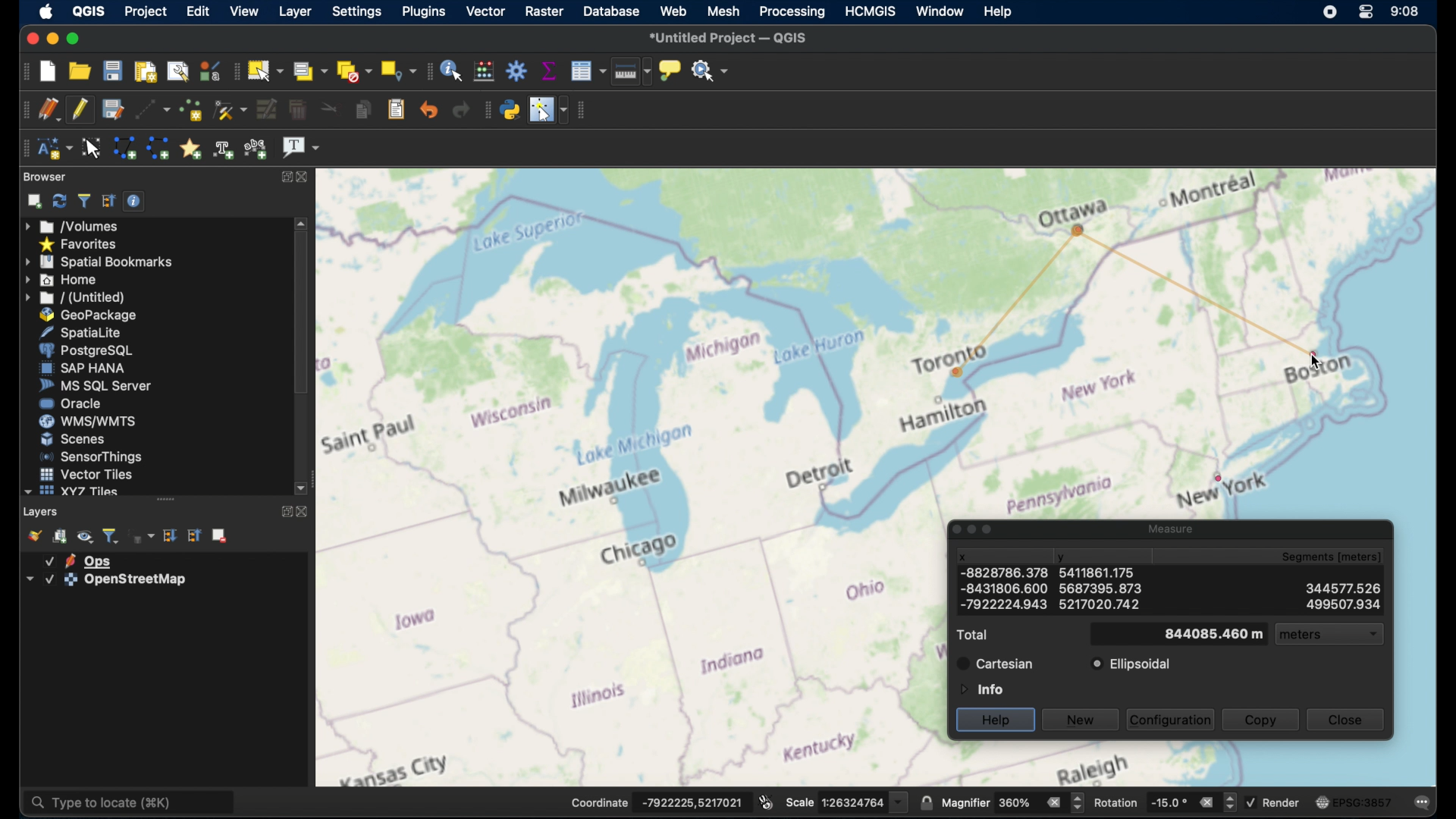 The height and width of the screenshot is (819, 1456). Describe the element at coordinates (995, 663) in the screenshot. I see `cartesian` at that location.